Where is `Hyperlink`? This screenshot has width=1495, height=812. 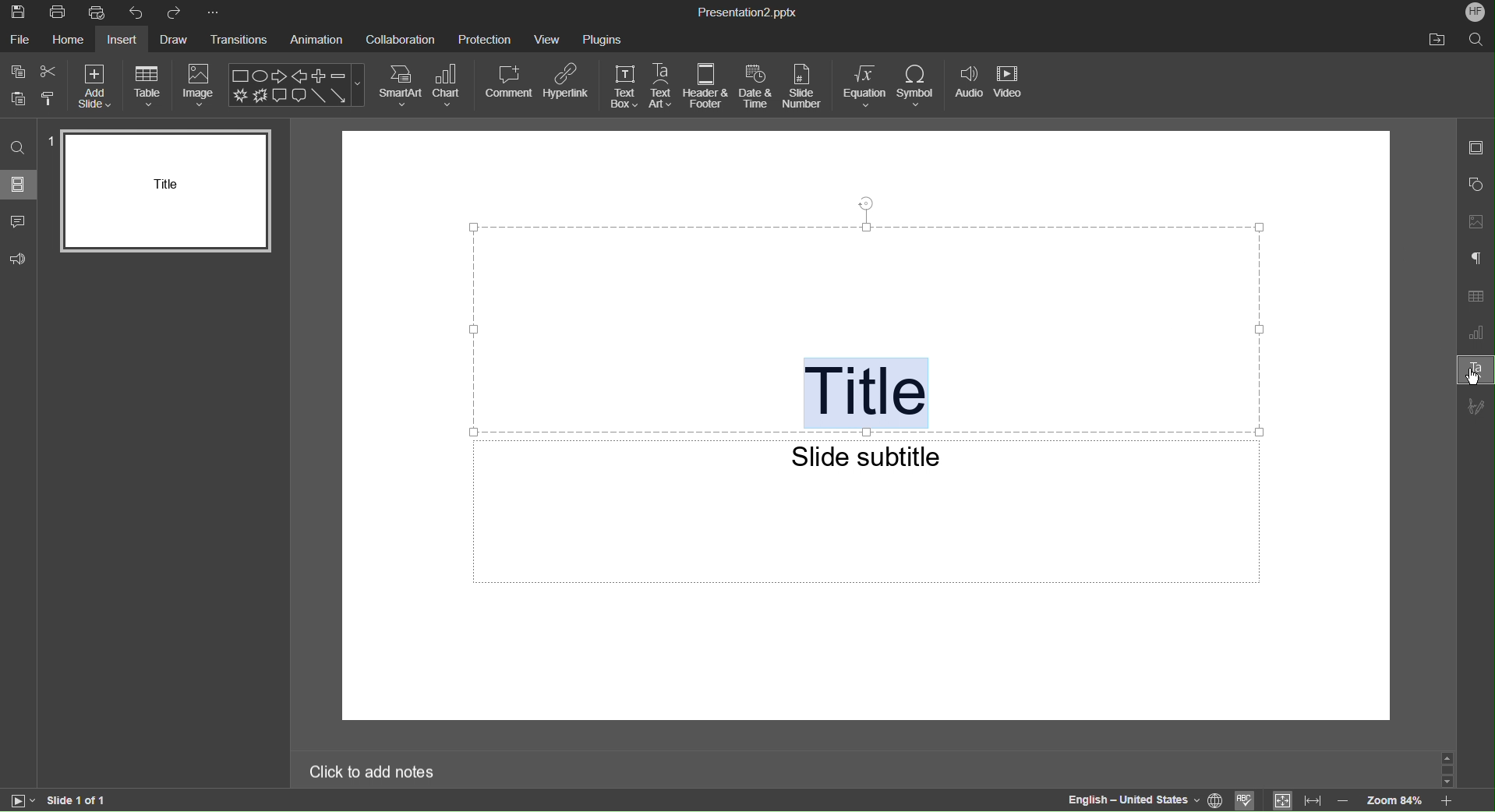
Hyperlink is located at coordinates (569, 86).